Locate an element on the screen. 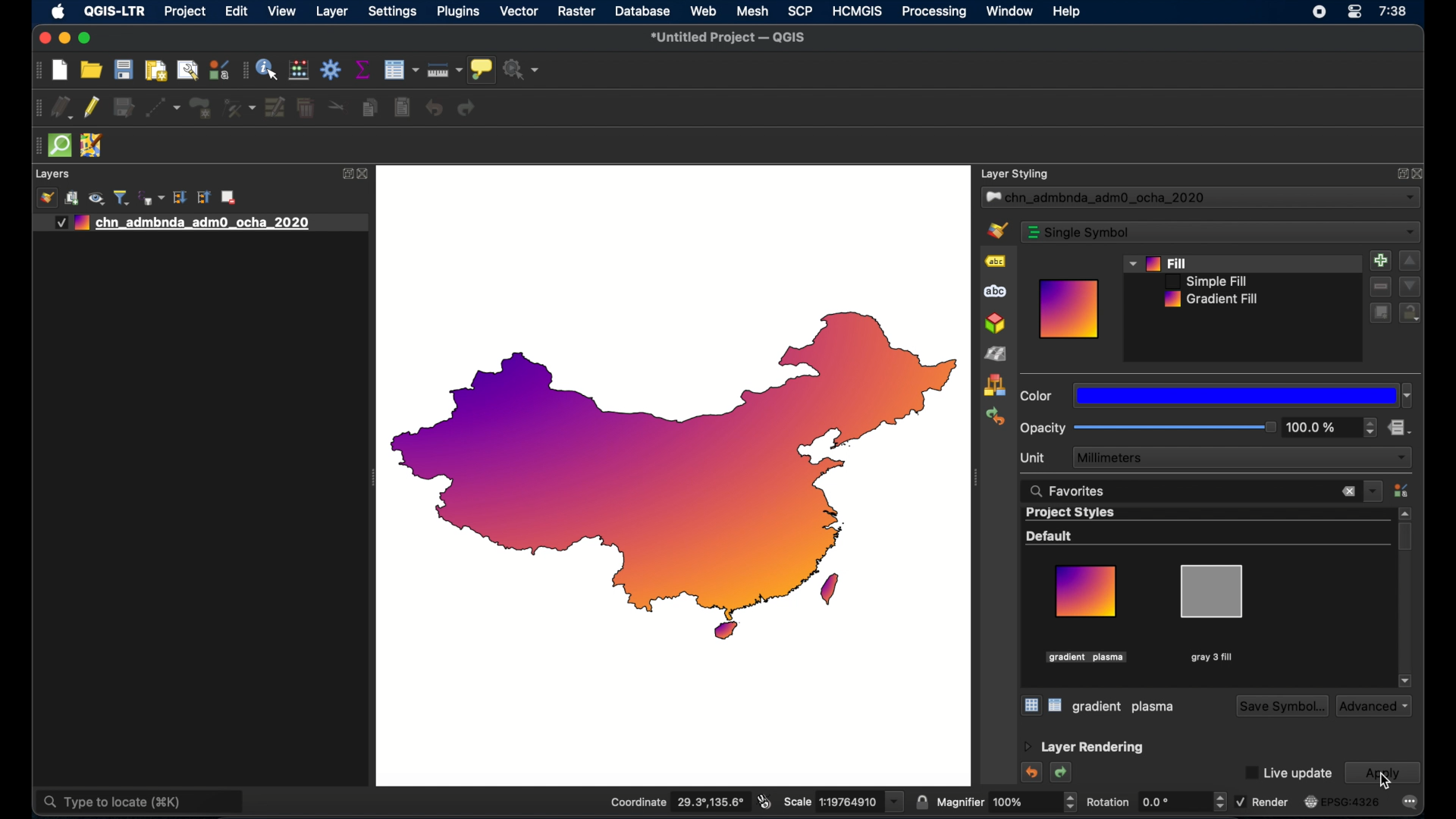  increase/decrease arrows is located at coordinates (1219, 805).